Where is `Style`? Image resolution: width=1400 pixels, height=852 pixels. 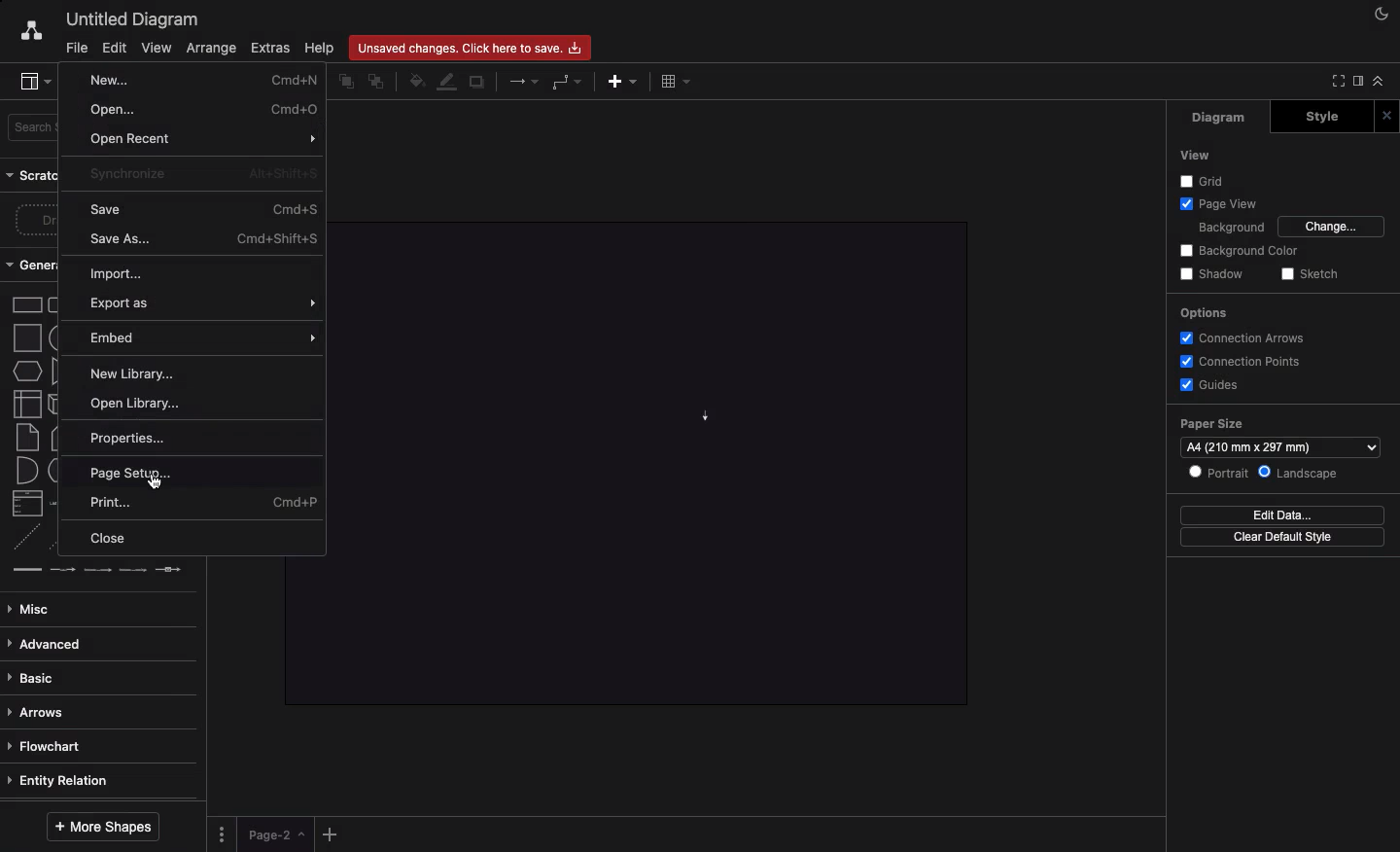 Style is located at coordinates (1321, 117).